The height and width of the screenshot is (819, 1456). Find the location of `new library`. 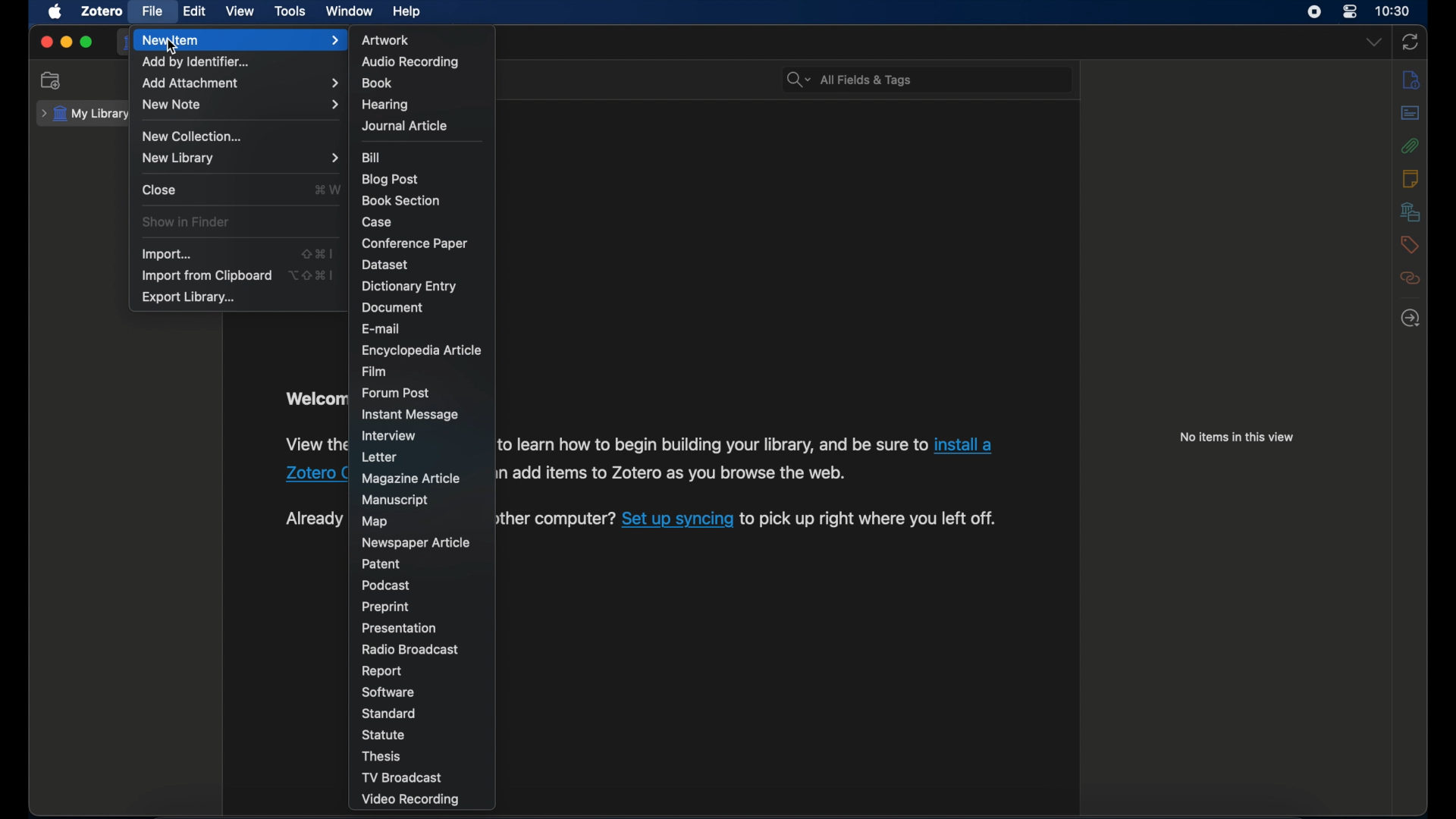

new library is located at coordinates (240, 158).